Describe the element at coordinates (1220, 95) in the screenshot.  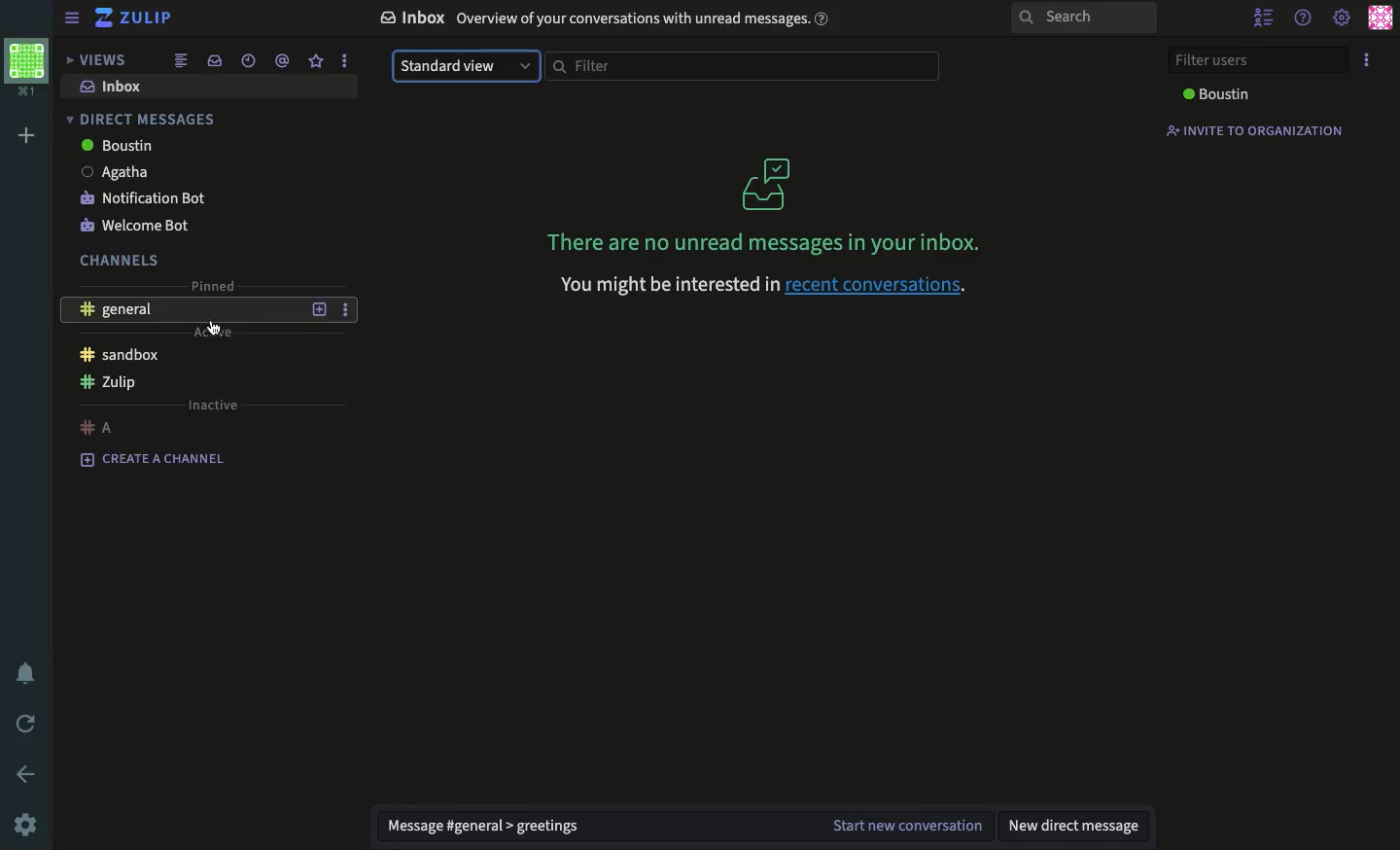
I see `boustin` at that location.